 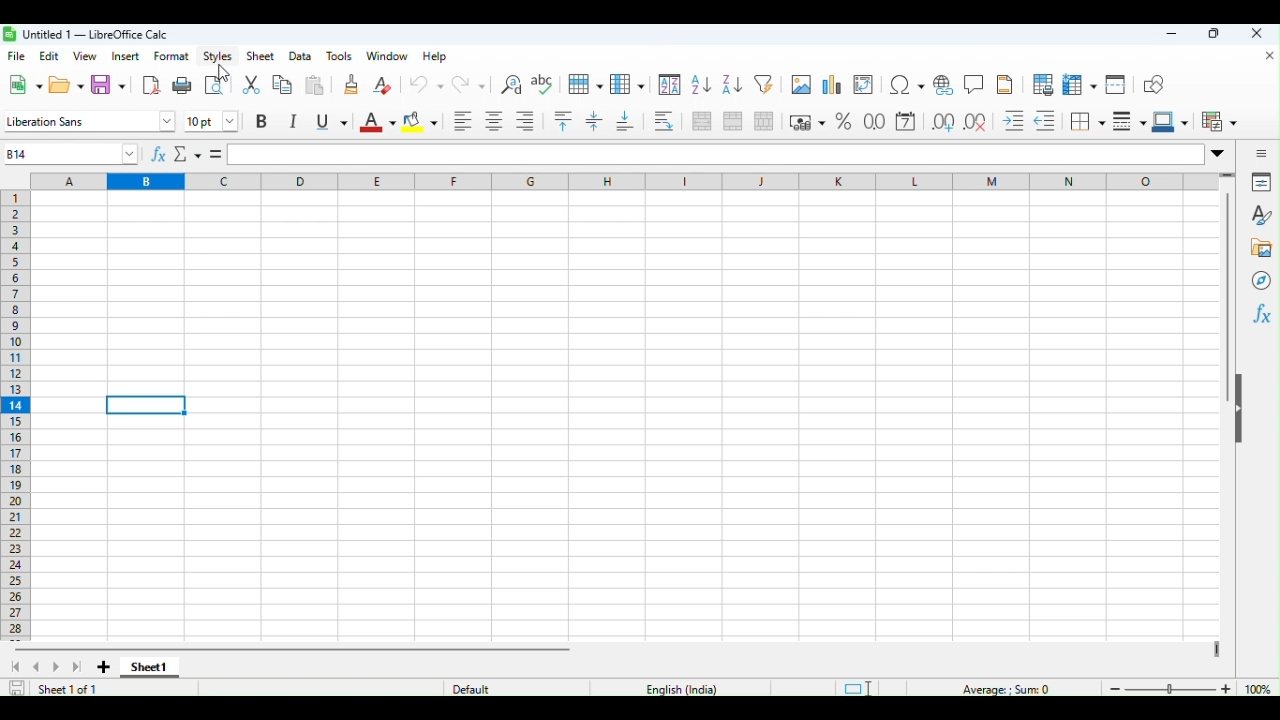 I want to click on Save library, so click(x=108, y=84).